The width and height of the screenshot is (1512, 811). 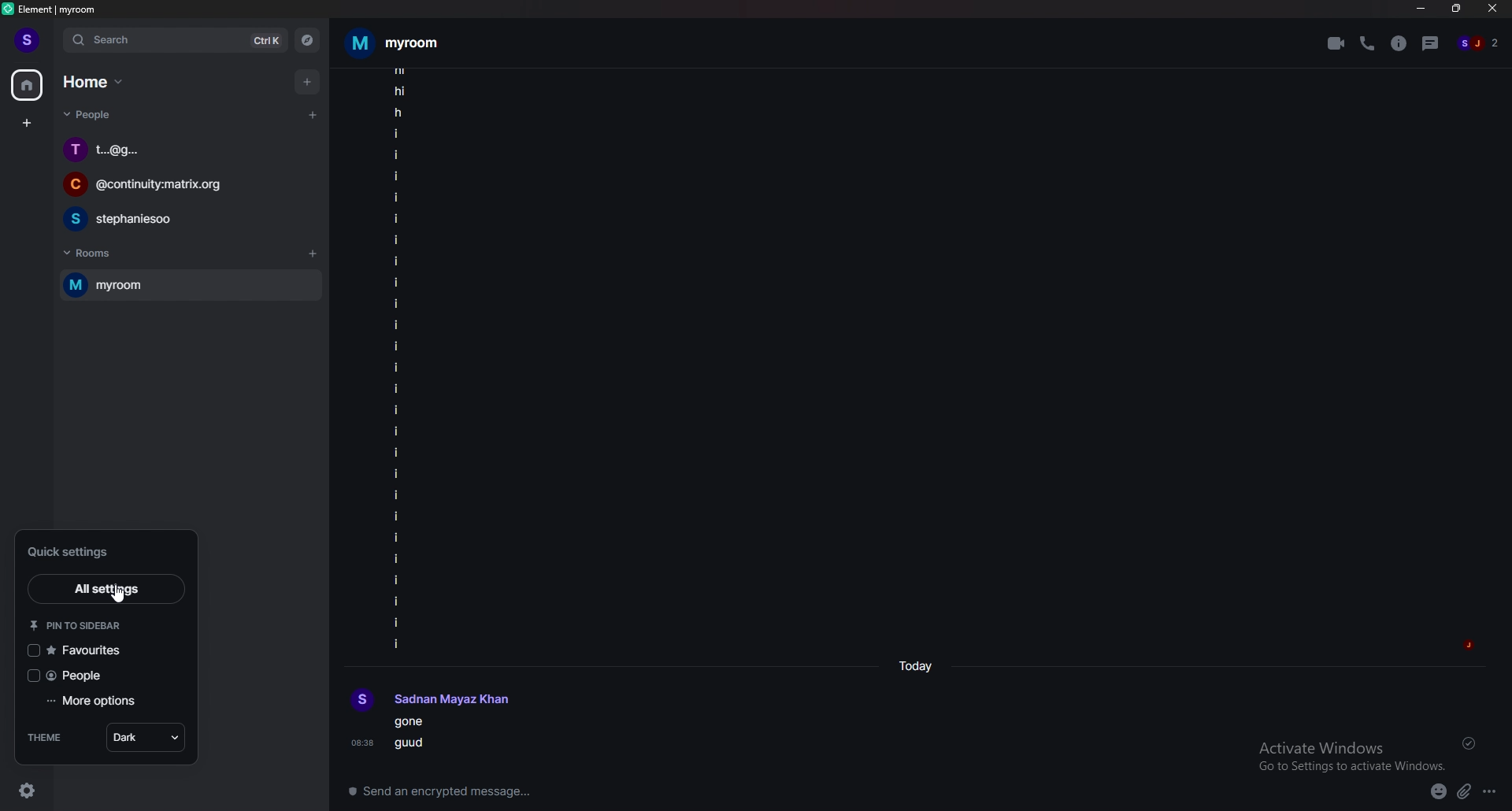 What do you see at coordinates (1367, 43) in the screenshot?
I see `voice call` at bounding box center [1367, 43].